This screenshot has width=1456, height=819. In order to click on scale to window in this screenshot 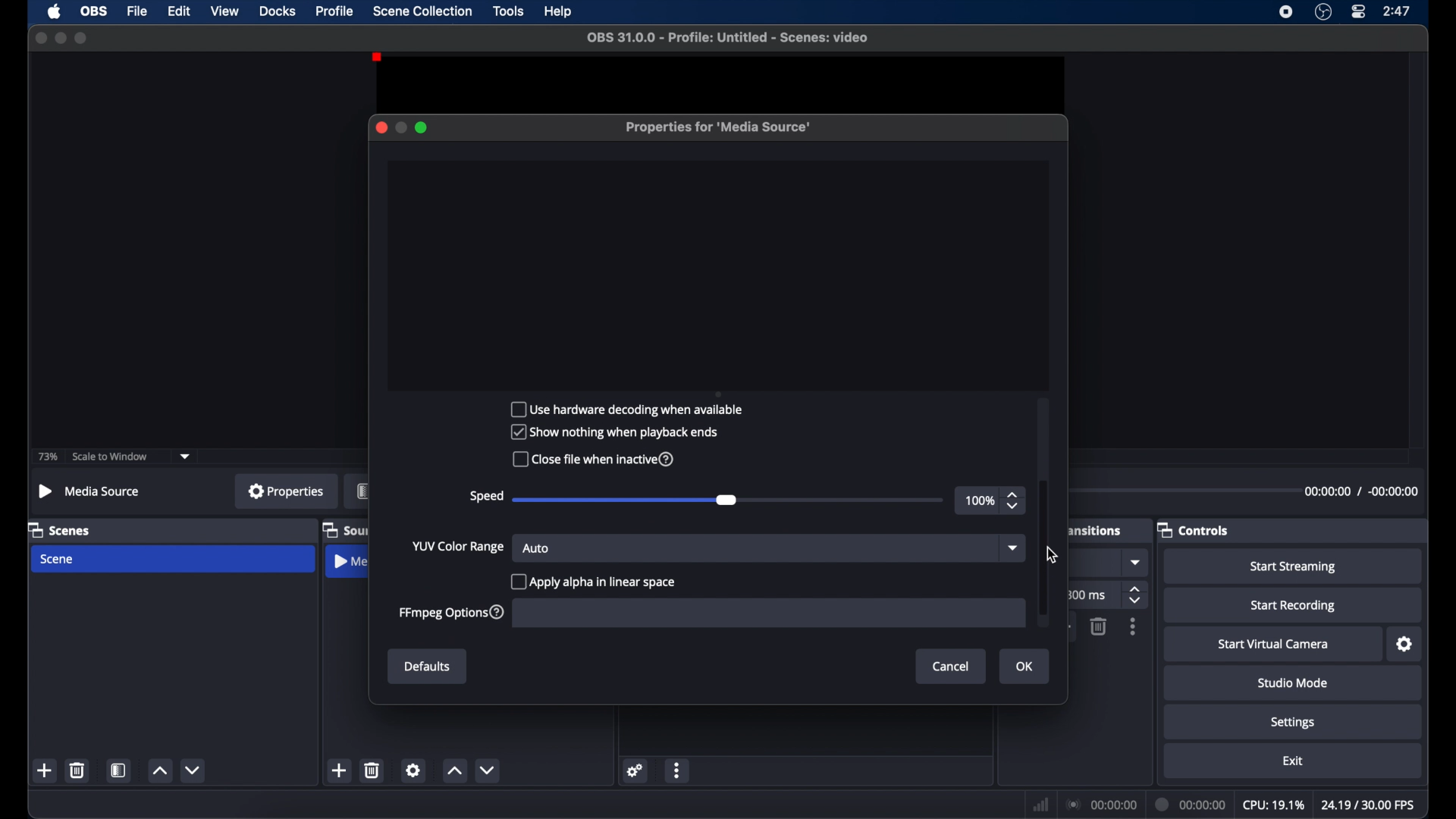, I will do `click(110, 457)`.